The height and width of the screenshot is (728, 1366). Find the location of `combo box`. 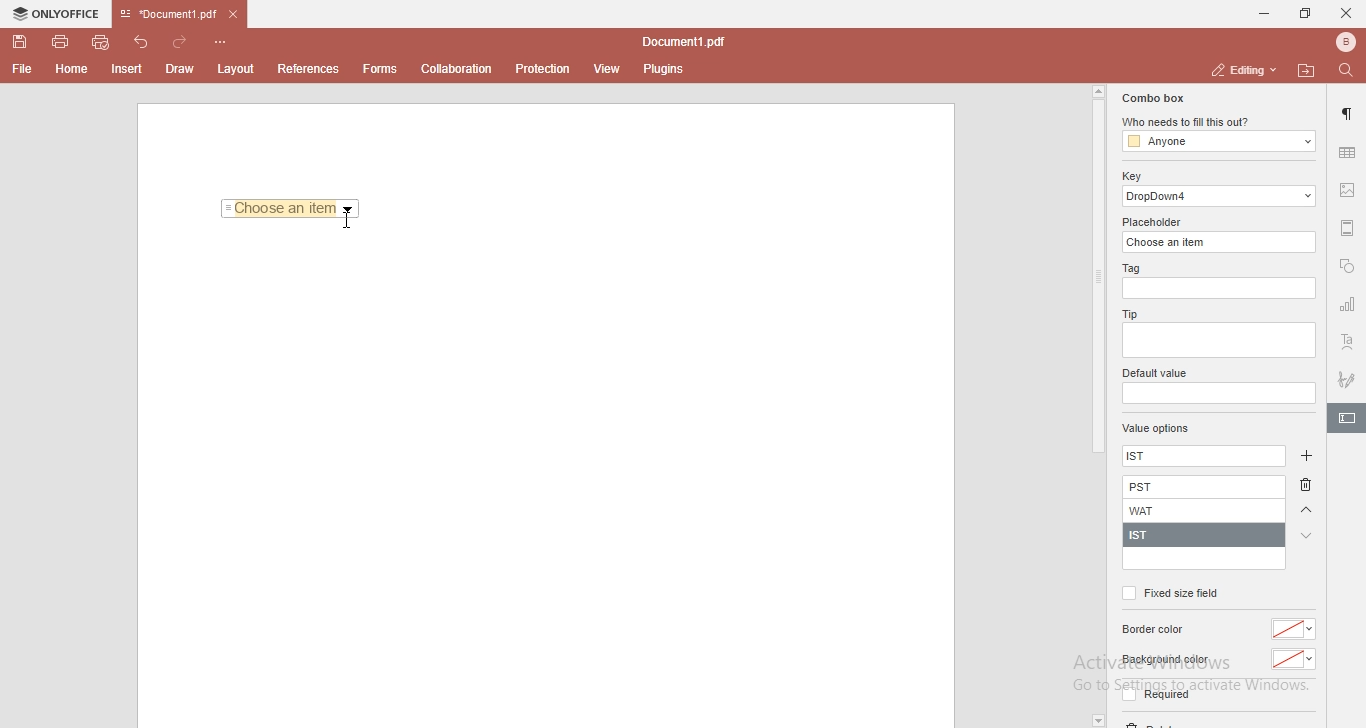

combo box is located at coordinates (1151, 98).